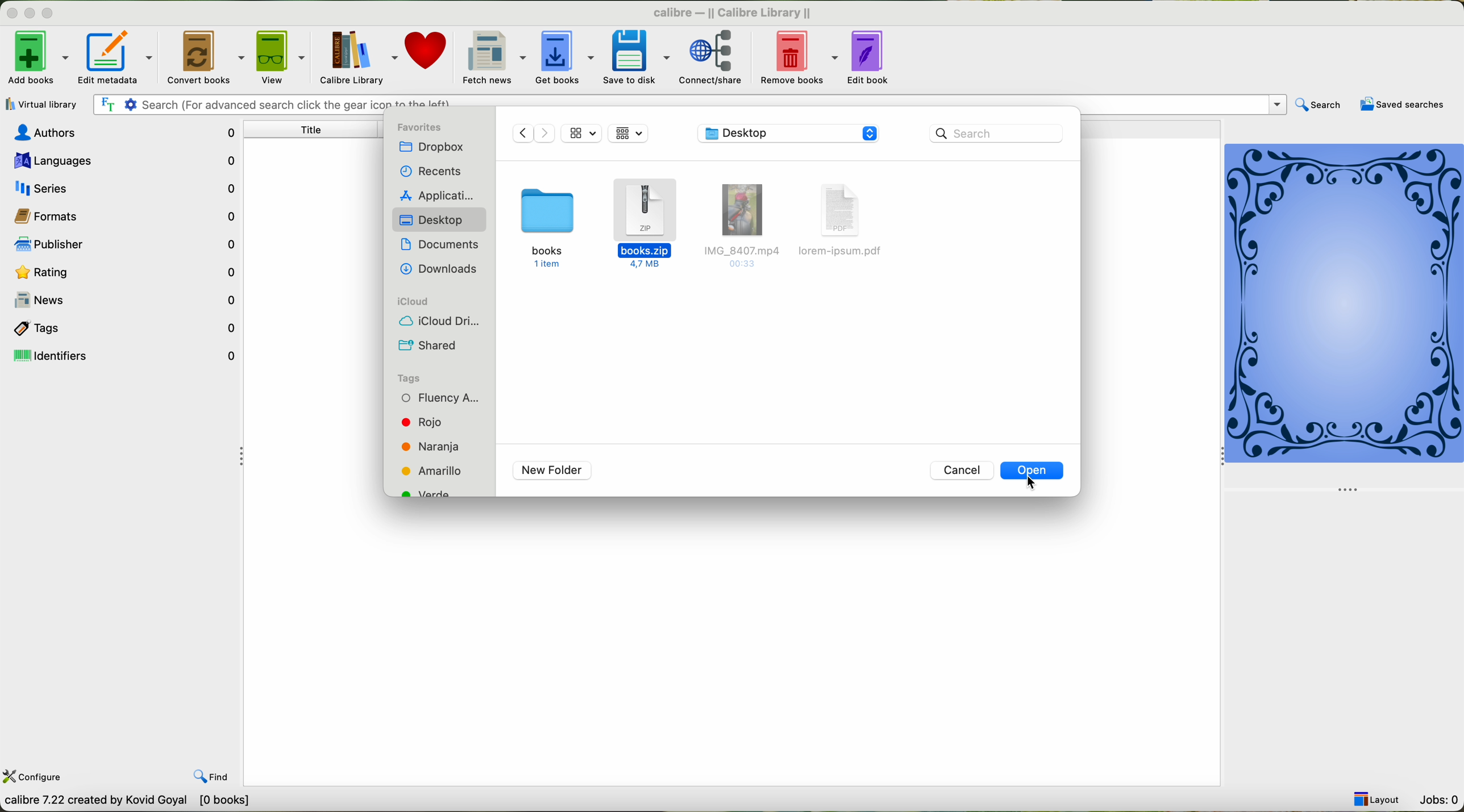 The height and width of the screenshot is (812, 1464). I want to click on location, so click(791, 133).